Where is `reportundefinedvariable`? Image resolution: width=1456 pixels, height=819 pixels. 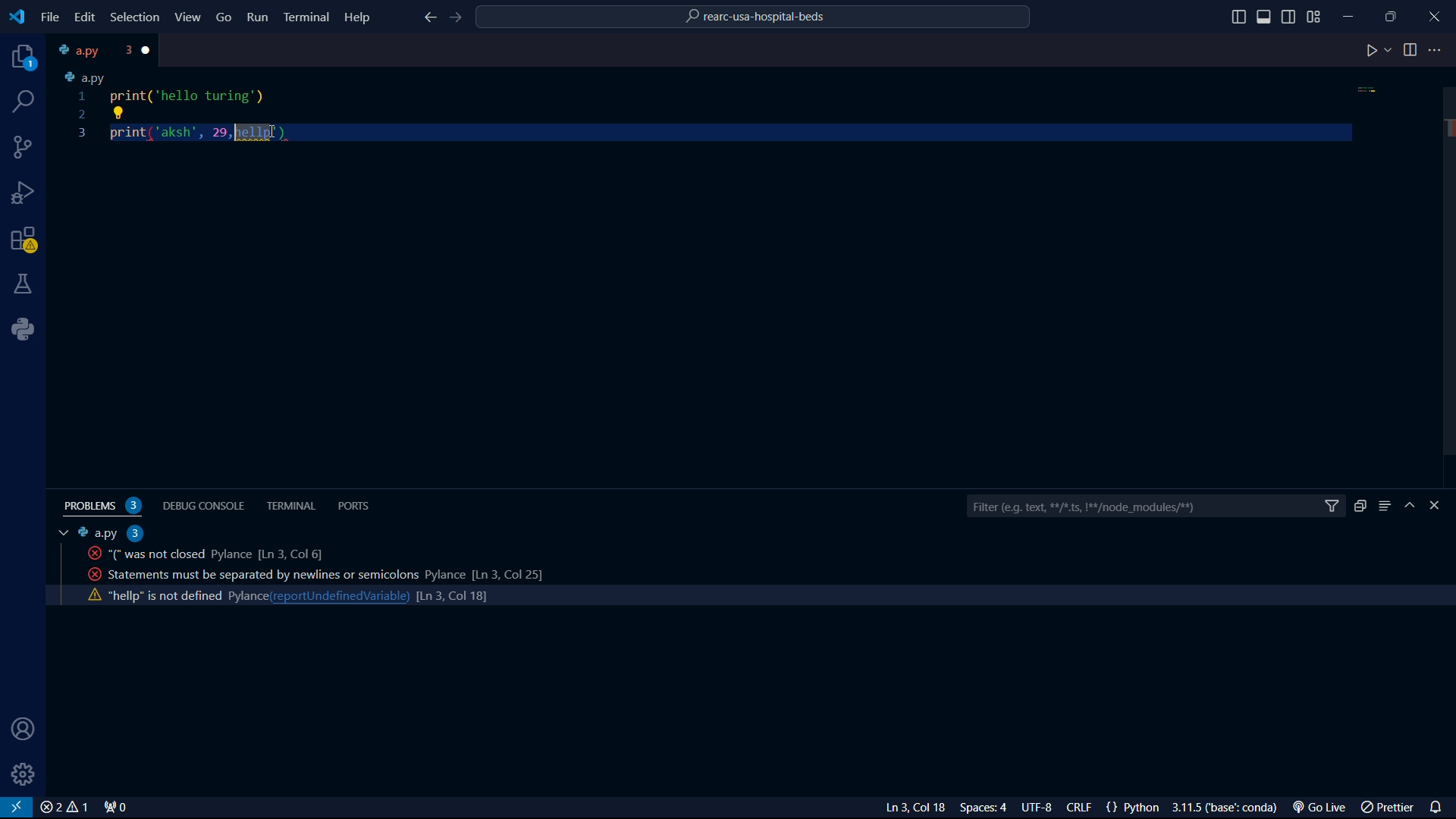
reportundefinedvariable is located at coordinates (341, 596).